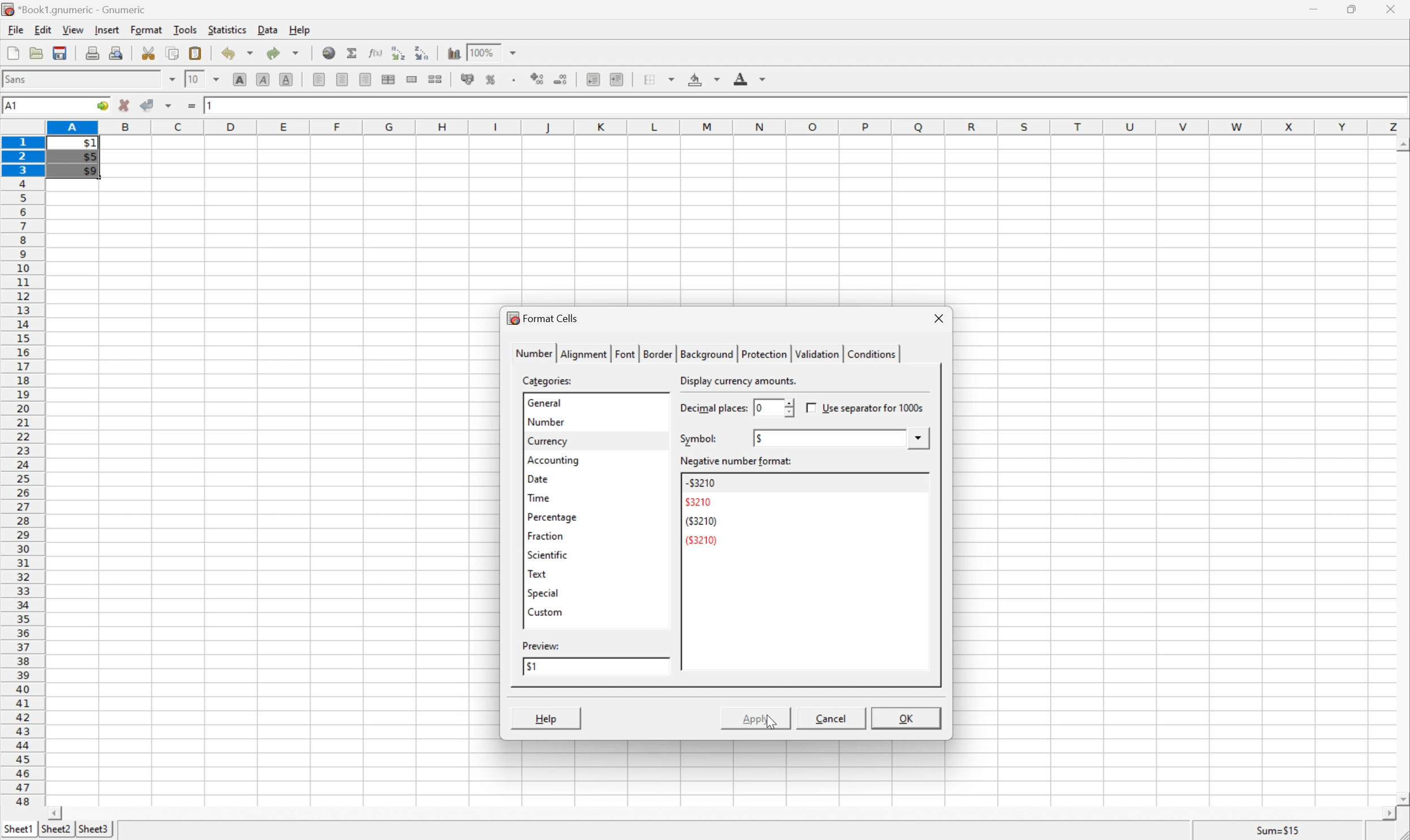  Describe the element at coordinates (548, 556) in the screenshot. I see `scientific` at that location.